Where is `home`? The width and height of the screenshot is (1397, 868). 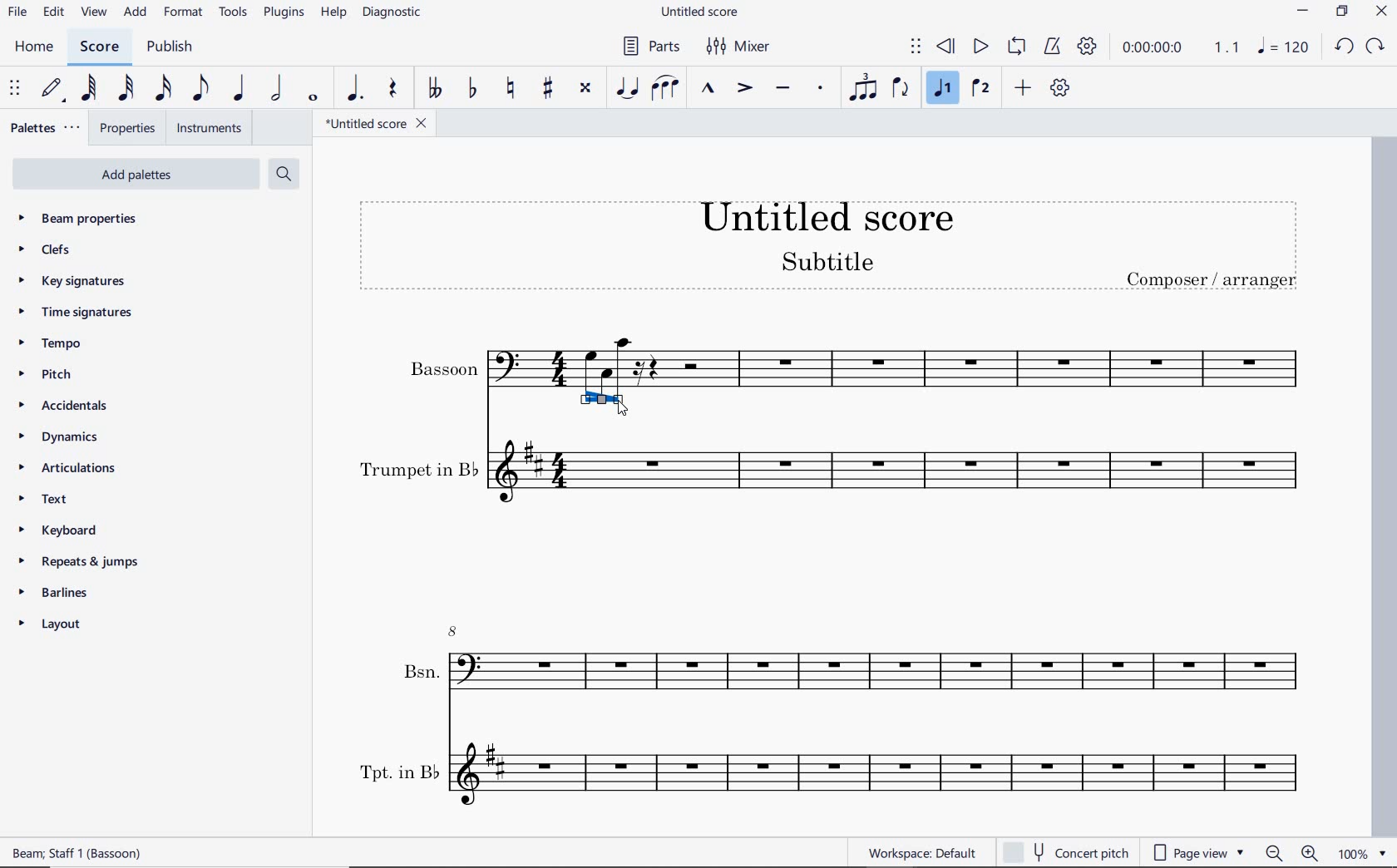 home is located at coordinates (31, 47).